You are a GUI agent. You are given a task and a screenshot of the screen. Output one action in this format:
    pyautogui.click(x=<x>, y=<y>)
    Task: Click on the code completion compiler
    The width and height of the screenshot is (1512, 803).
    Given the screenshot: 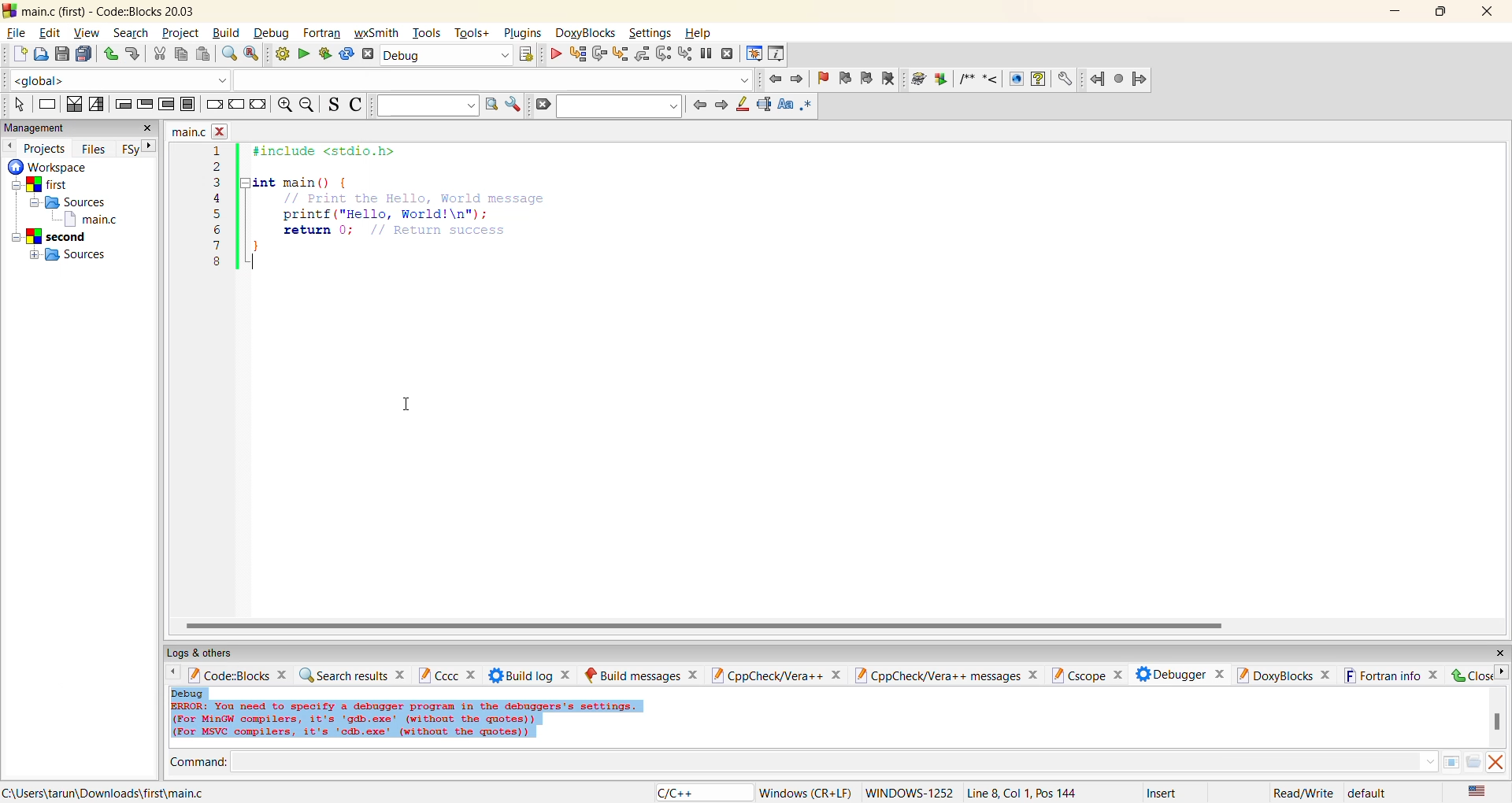 What is the action you would take?
    pyautogui.click(x=378, y=80)
    